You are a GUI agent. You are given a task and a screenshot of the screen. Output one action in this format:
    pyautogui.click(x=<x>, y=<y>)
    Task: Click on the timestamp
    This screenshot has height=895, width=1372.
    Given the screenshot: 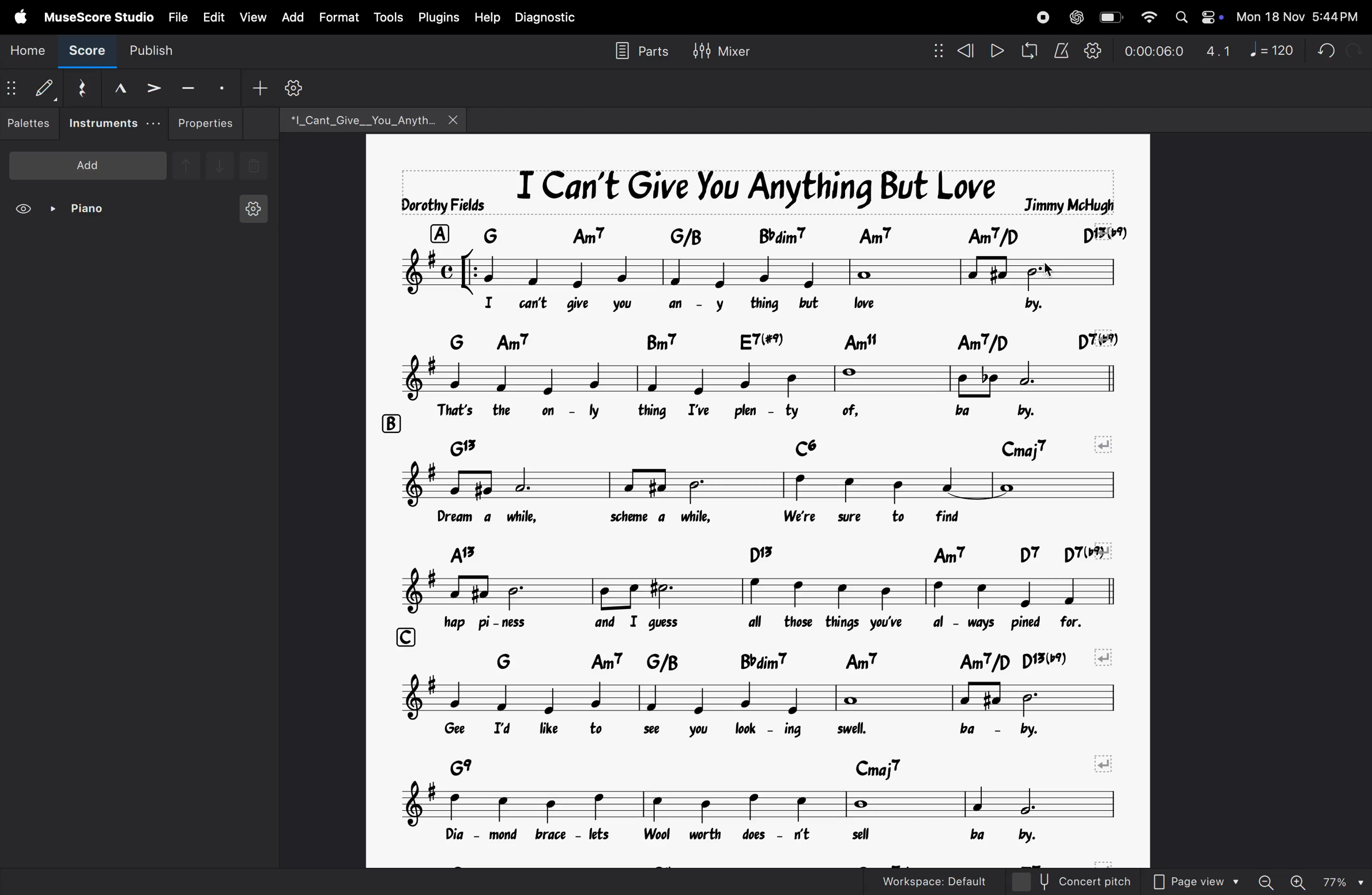 What is the action you would take?
    pyautogui.click(x=1156, y=50)
    